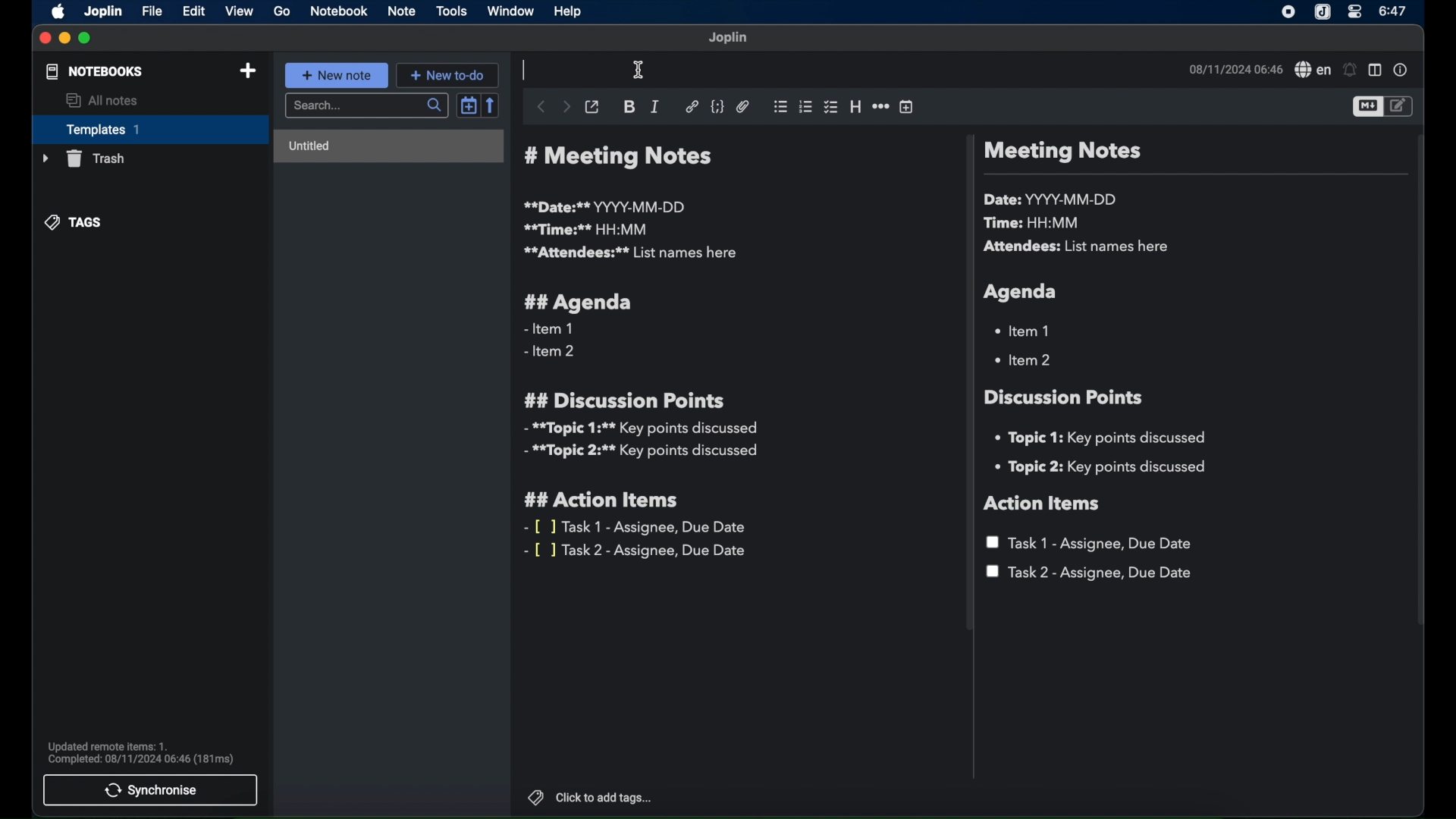  What do you see at coordinates (1355, 13) in the screenshot?
I see `control center` at bounding box center [1355, 13].